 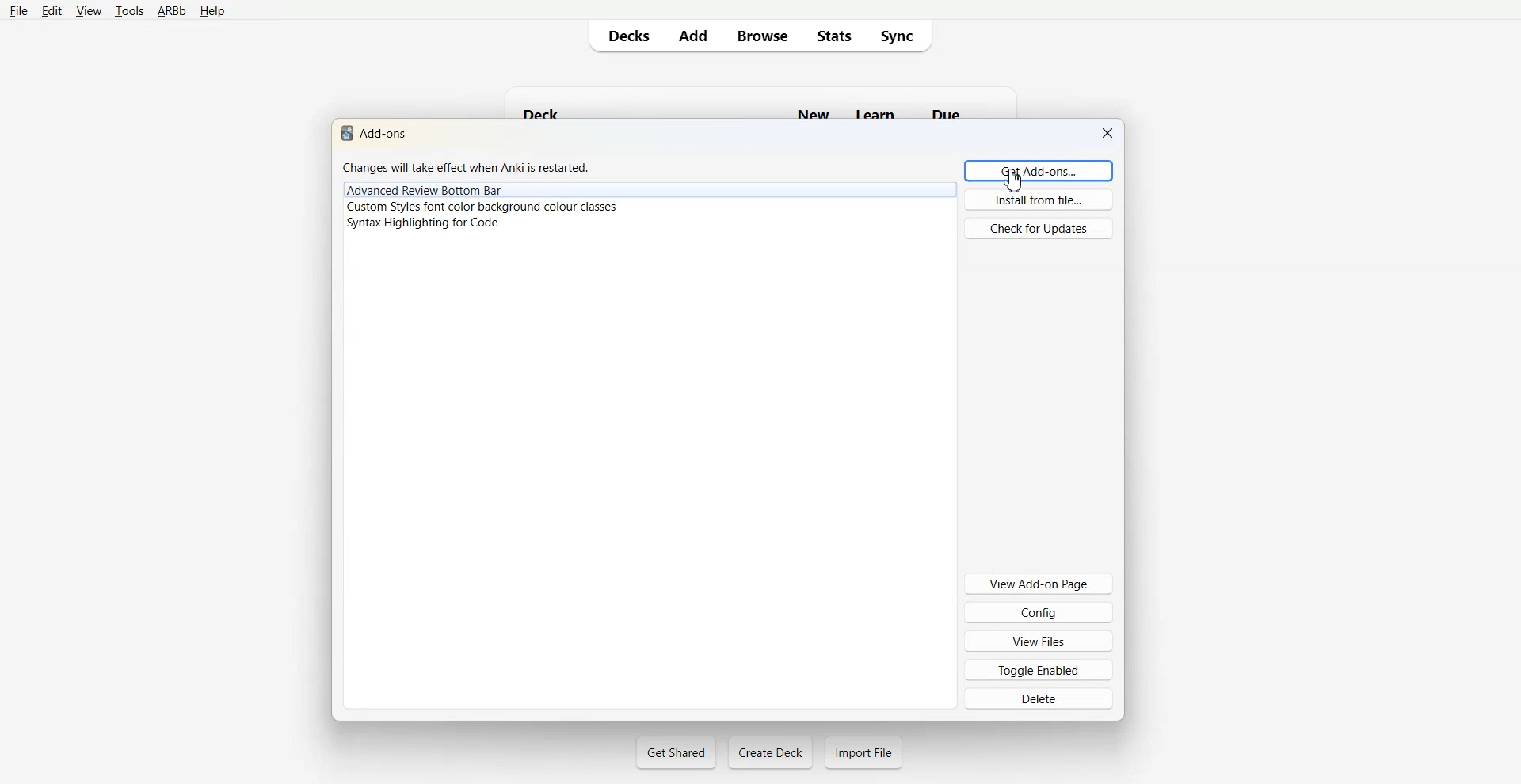 What do you see at coordinates (623, 35) in the screenshot?
I see `Decks` at bounding box center [623, 35].